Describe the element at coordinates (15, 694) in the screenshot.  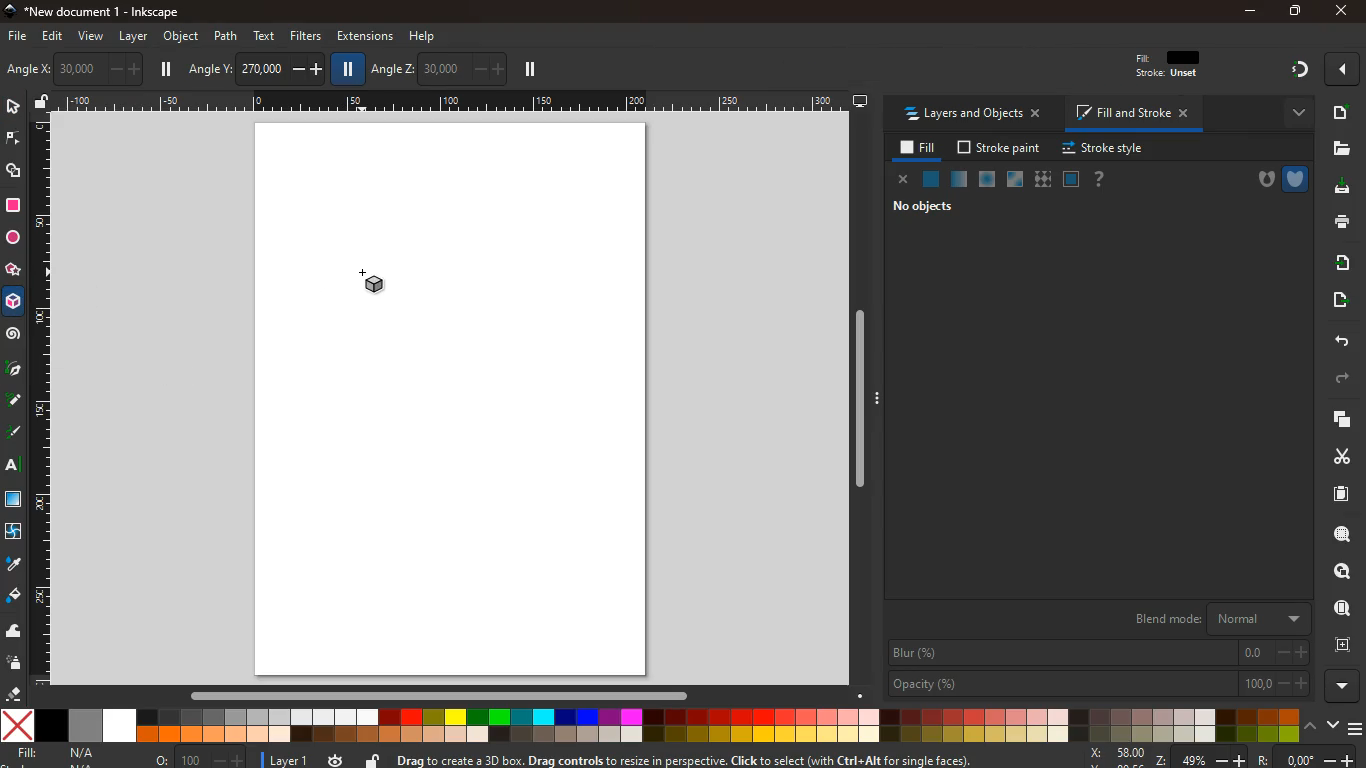
I see `erase` at that location.